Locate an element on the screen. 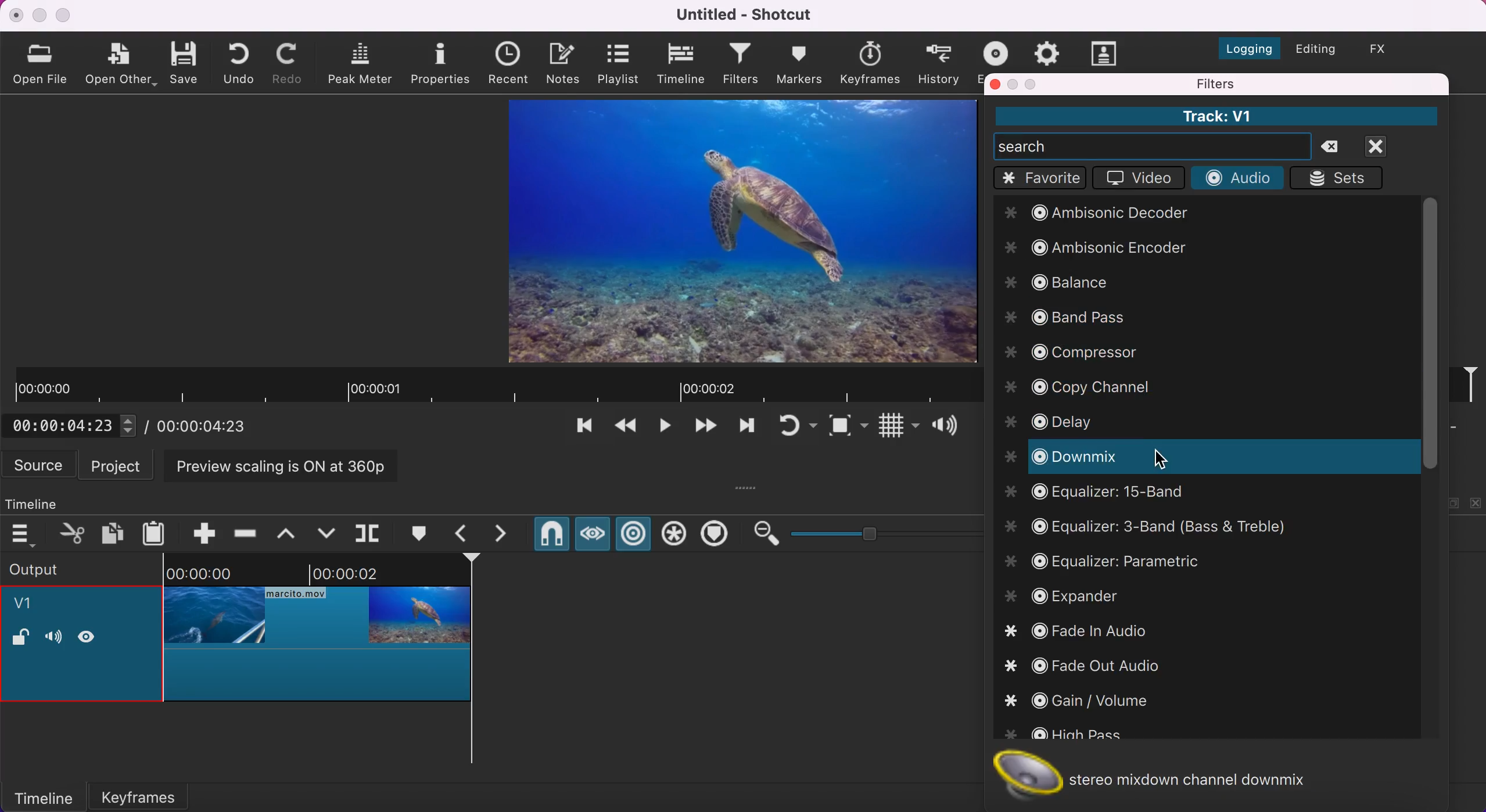 Image resolution: width=1486 pixels, height=812 pixels. show volume control is located at coordinates (949, 427).